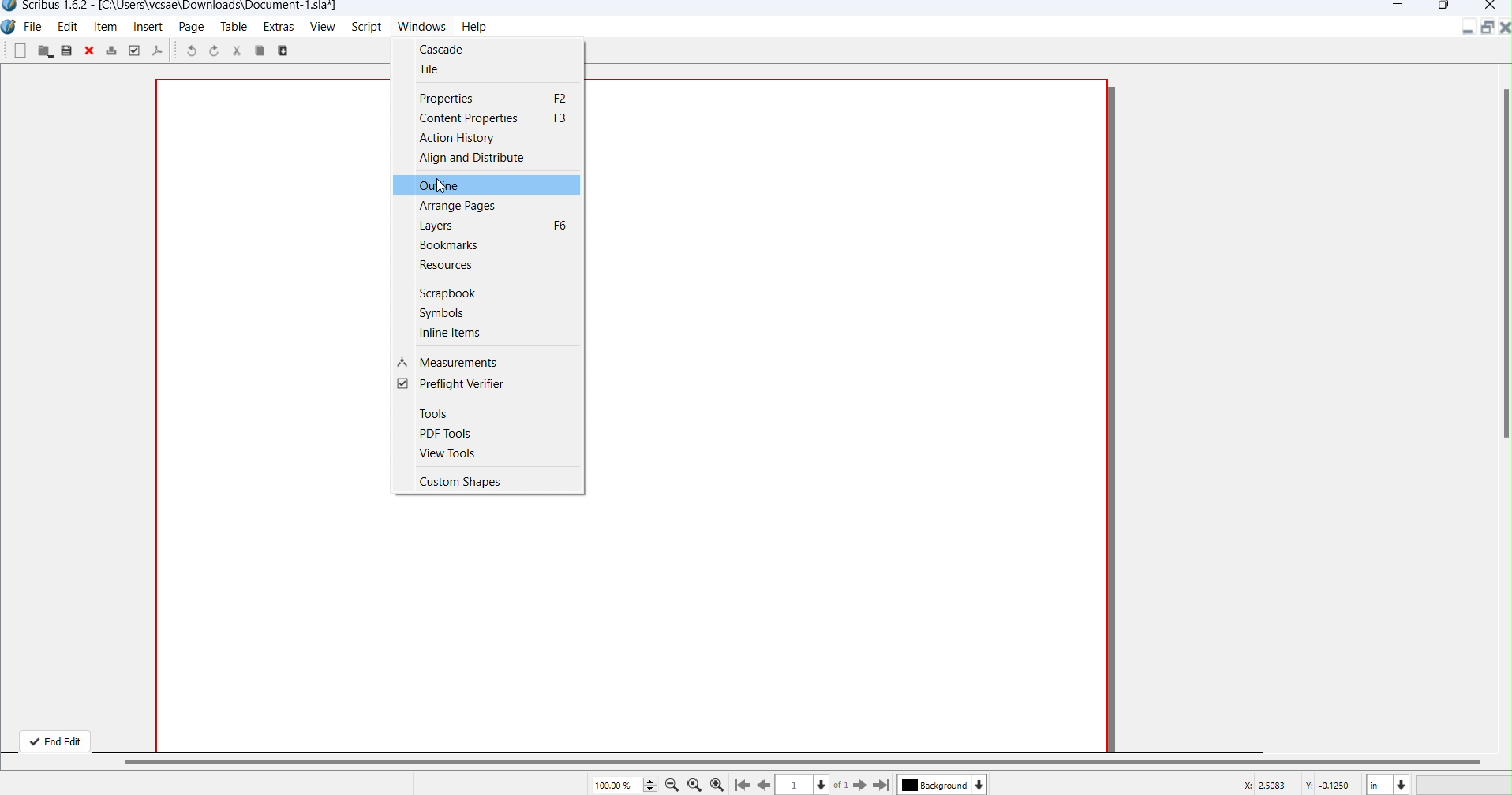 The image size is (1512, 795). Describe the element at coordinates (718, 784) in the screenshot. I see `zoom in` at that location.